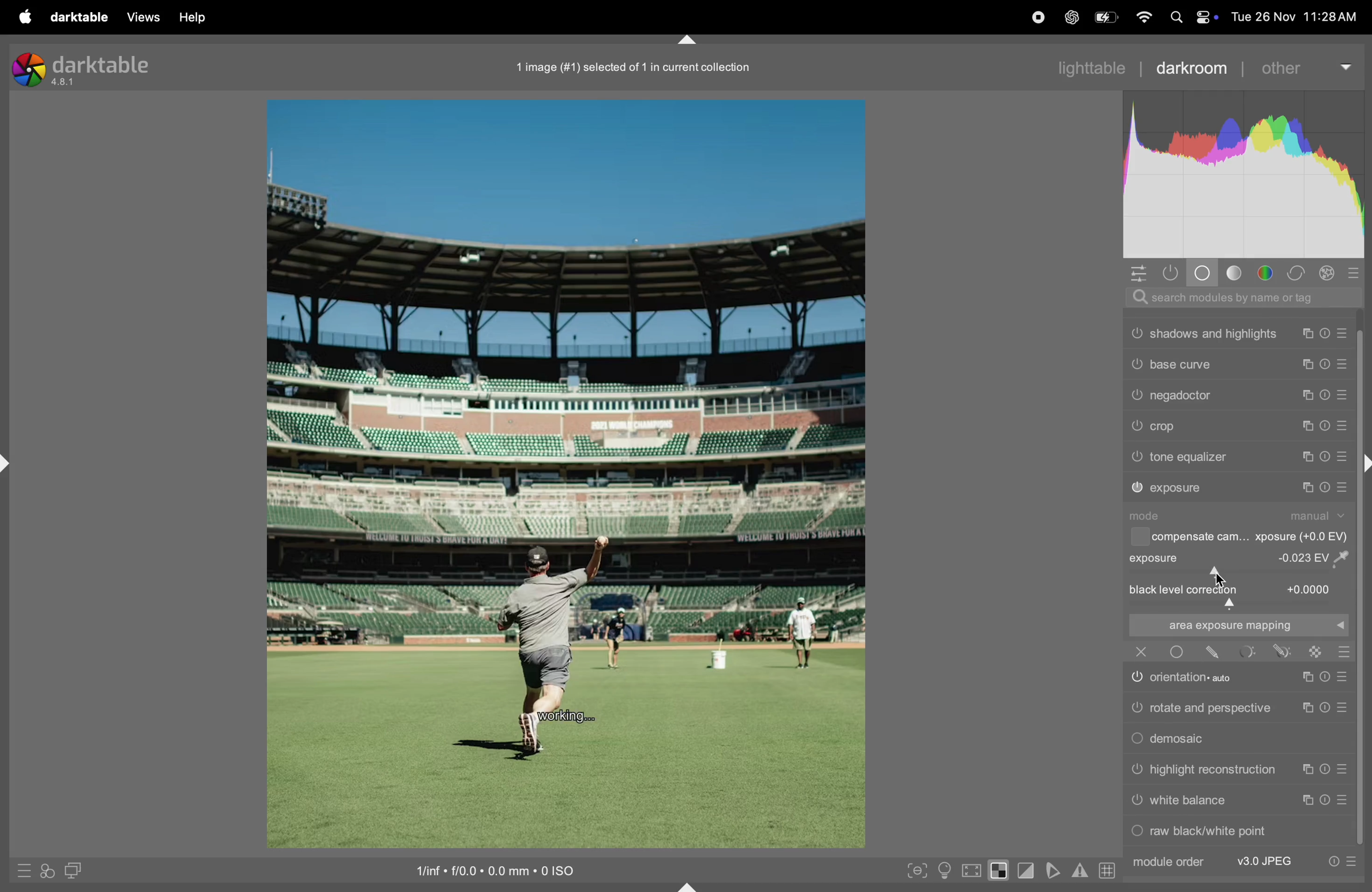  Describe the element at coordinates (1240, 604) in the screenshot. I see `slider` at that location.